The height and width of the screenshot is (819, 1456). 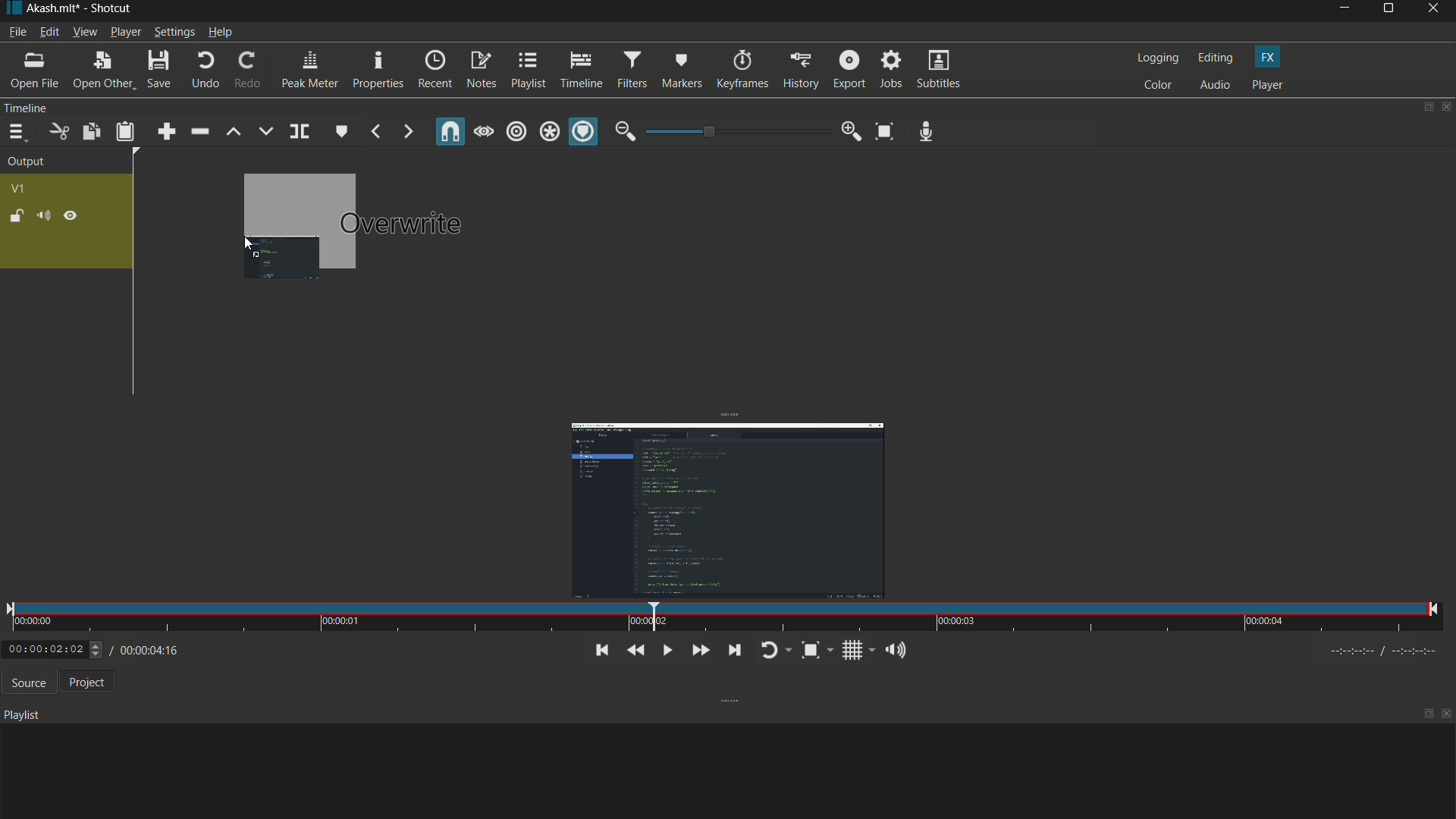 I want to click on close timeline, so click(x=1447, y=107).